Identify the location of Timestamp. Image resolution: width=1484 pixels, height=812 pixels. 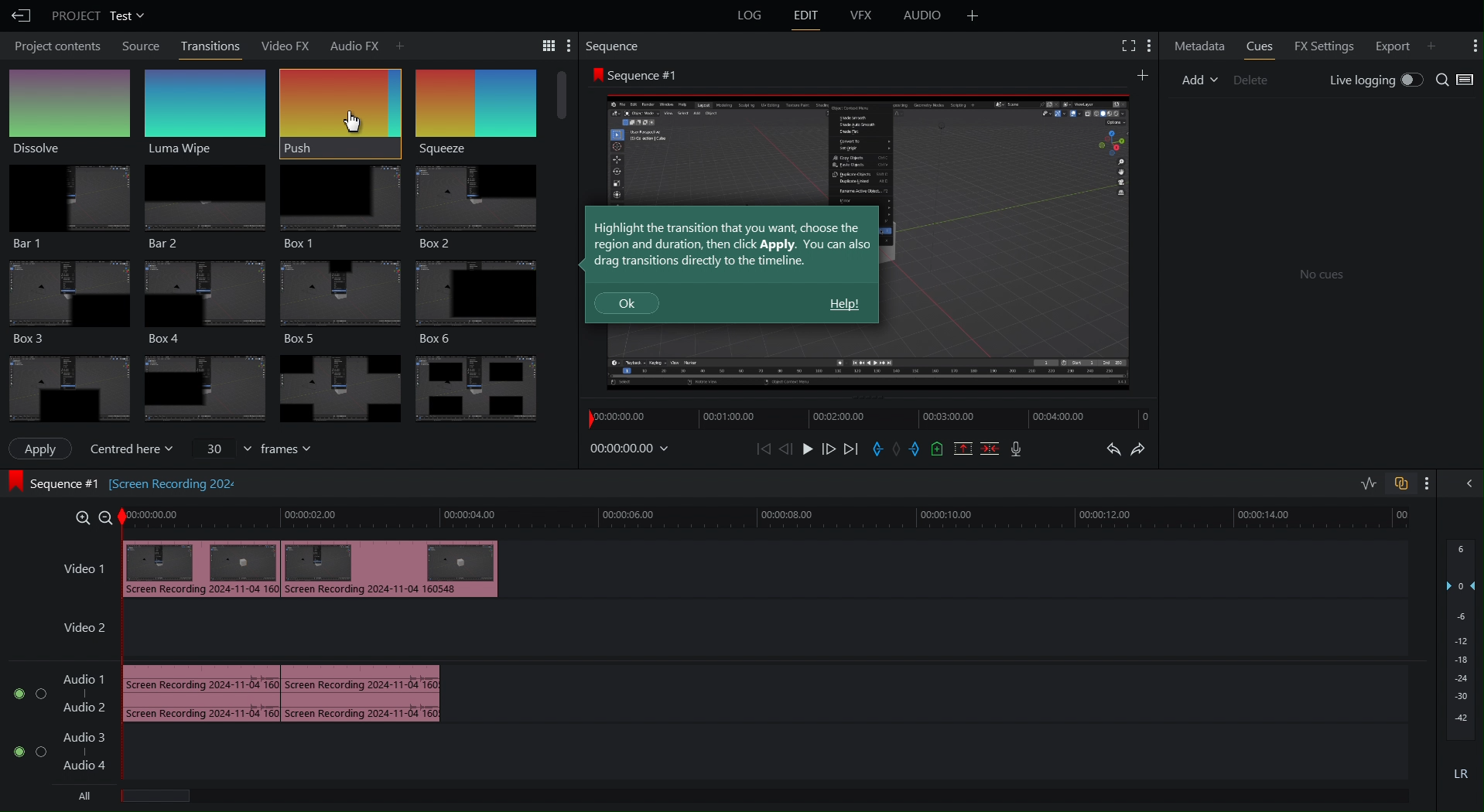
(630, 448).